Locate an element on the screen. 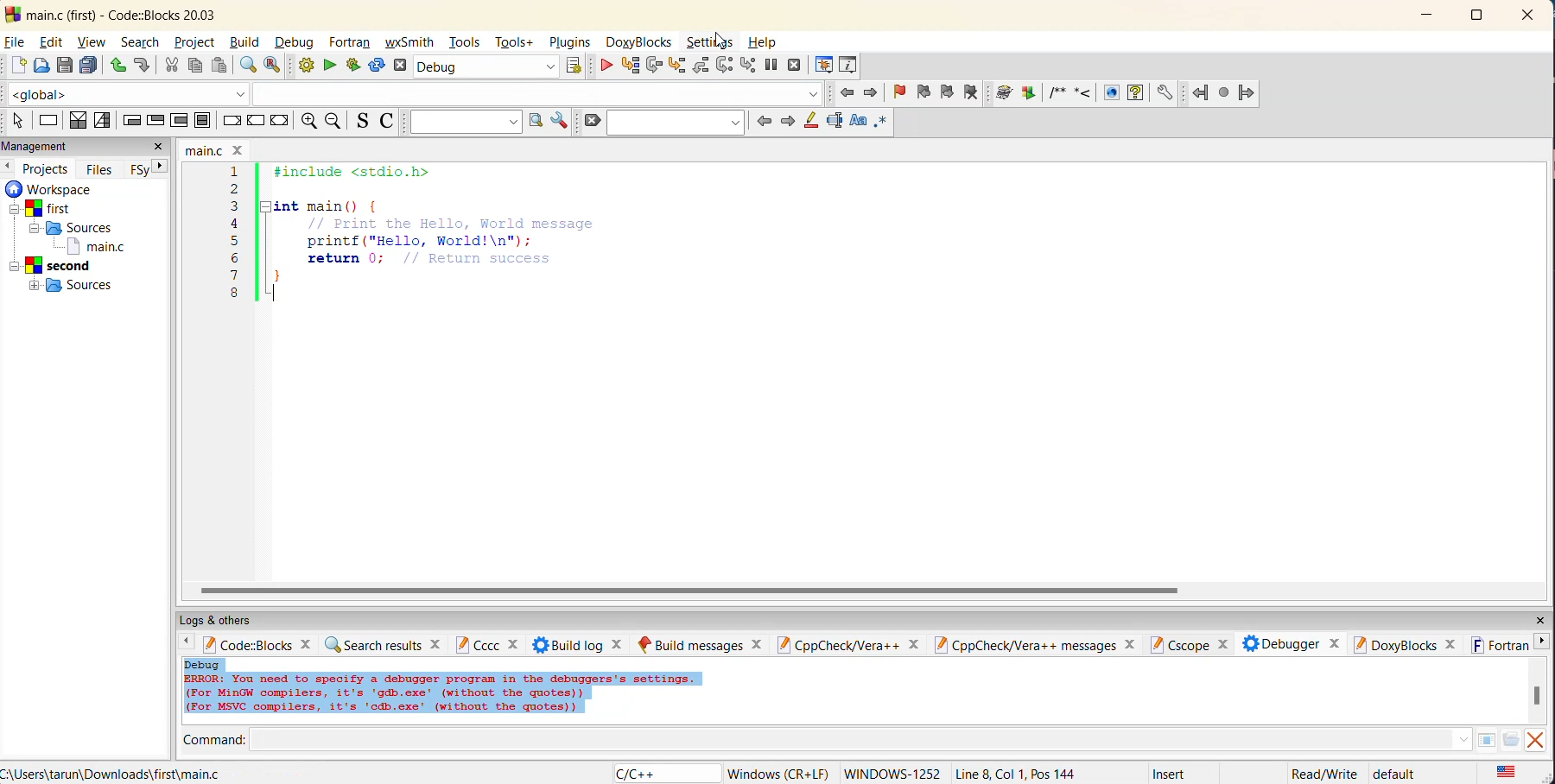  minimize is located at coordinates (1428, 17).